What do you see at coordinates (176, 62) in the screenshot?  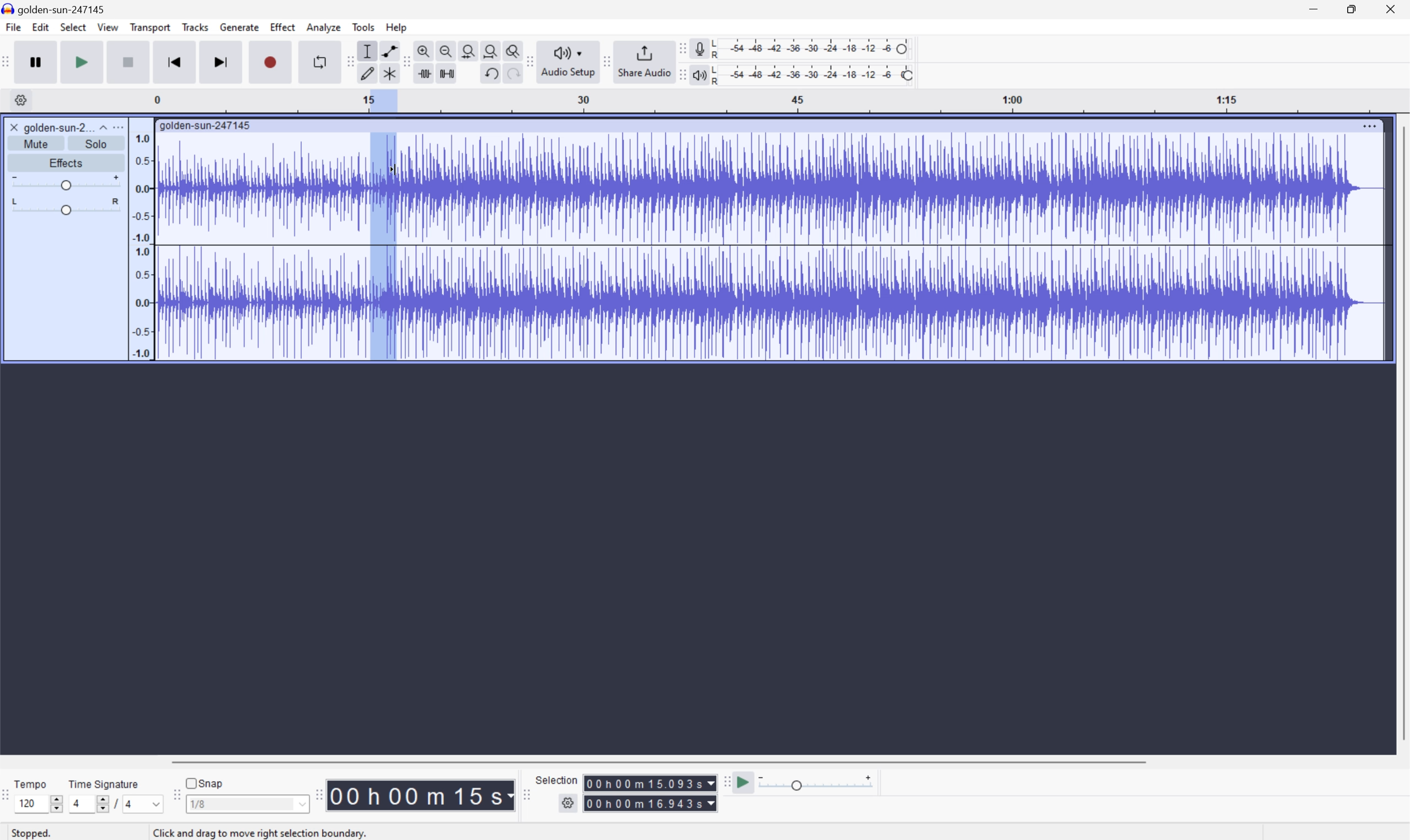 I see `Skip to start` at bounding box center [176, 62].